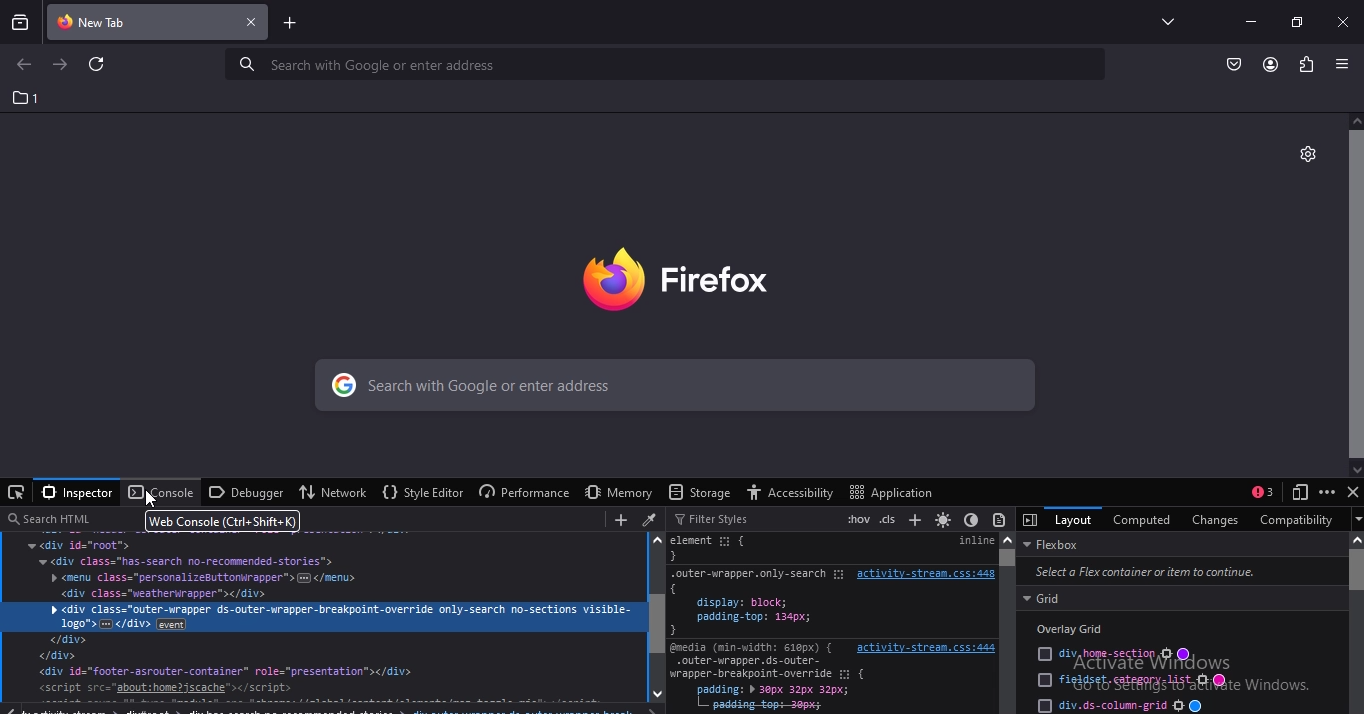 This screenshot has width=1364, height=714. What do you see at coordinates (160, 492) in the screenshot?
I see `console` at bounding box center [160, 492].